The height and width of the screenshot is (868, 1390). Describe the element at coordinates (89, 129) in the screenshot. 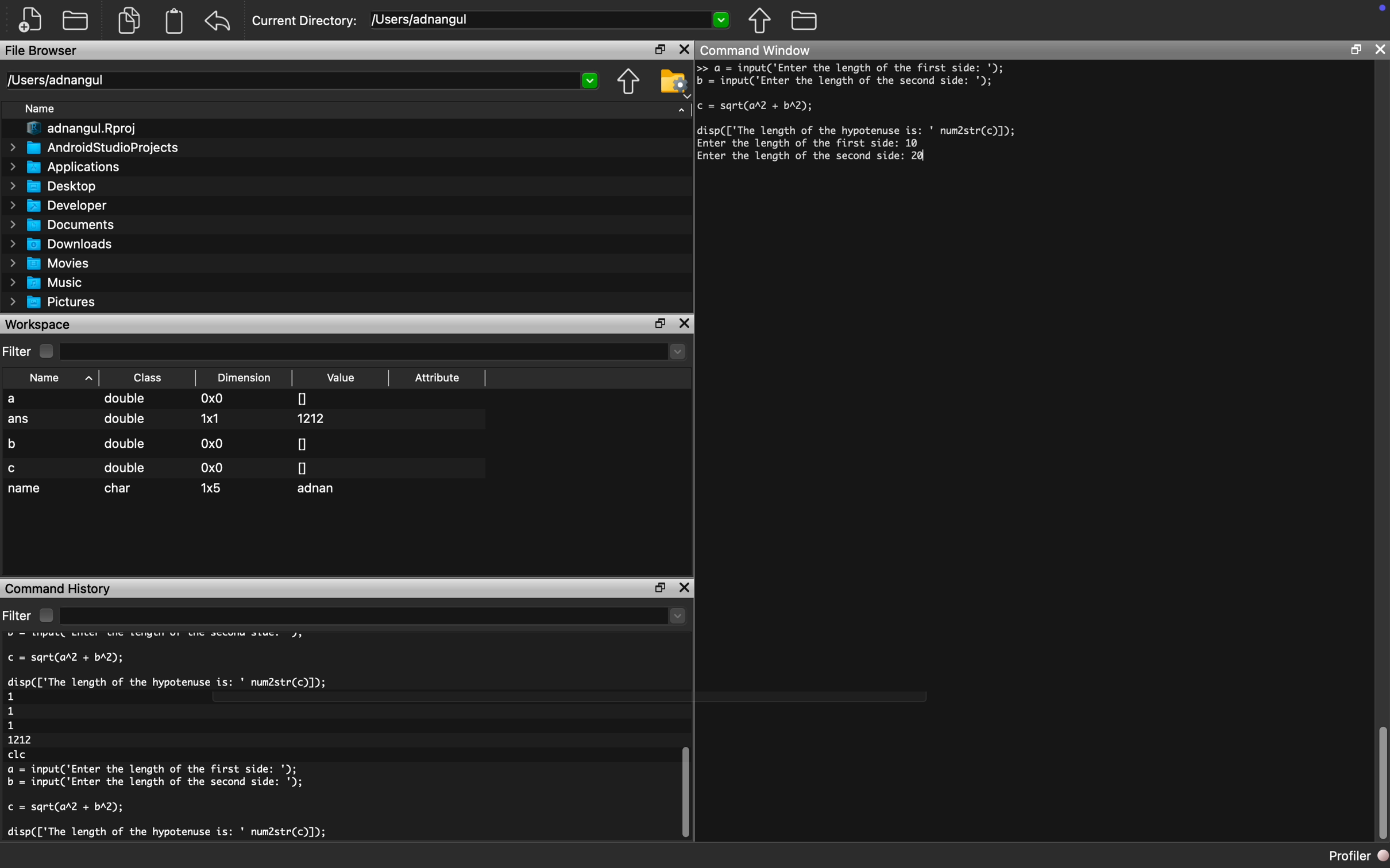

I see `I" adnangul.Rproj` at that location.